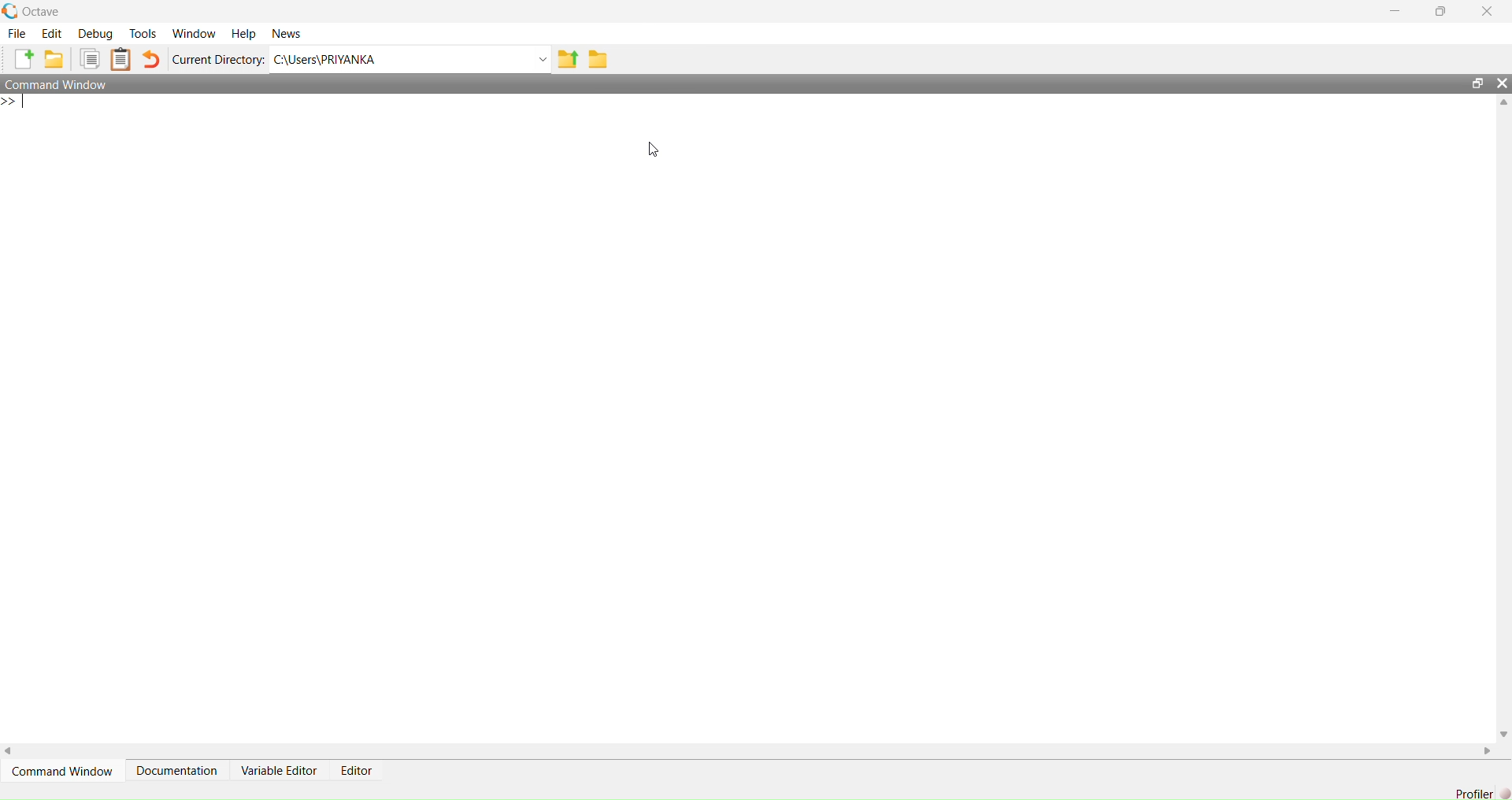 This screenshot has width=1512, height=800. Describe the element at coordinates (90, 58) in the screenshot. I see `Copy` at that location.